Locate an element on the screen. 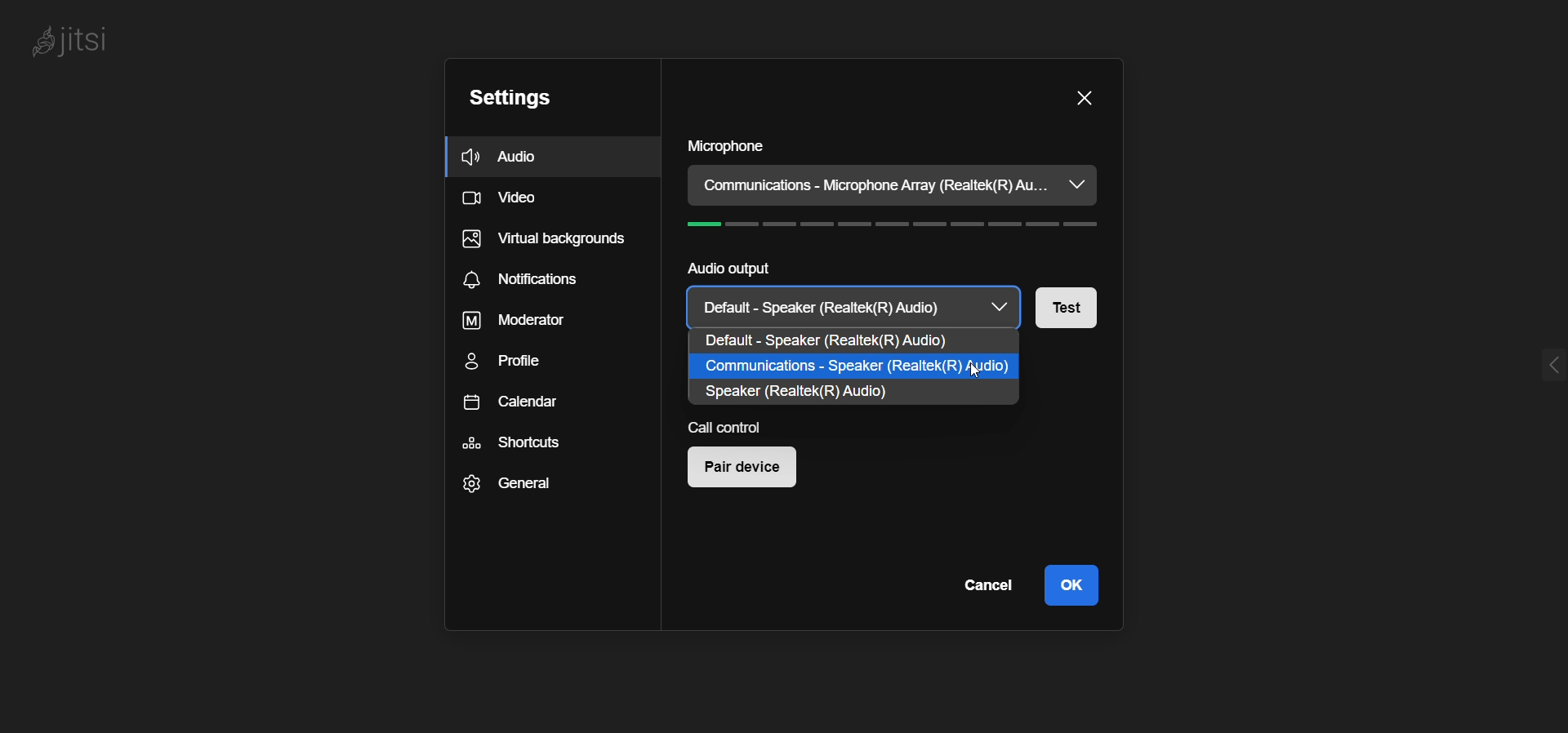 This screenshot has width=1568, height=733. cancel is located at coordinates (984, 586).